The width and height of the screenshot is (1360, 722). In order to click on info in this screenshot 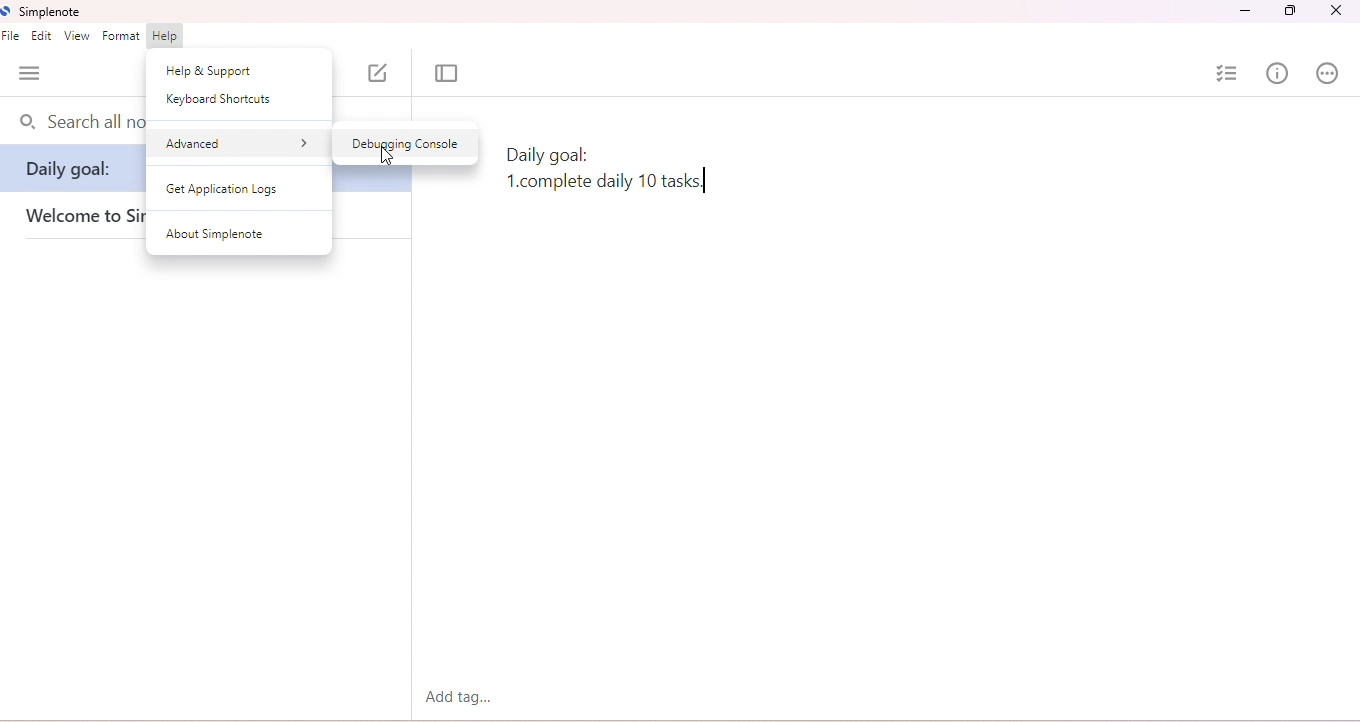, I will do `click(1276, 72)`.